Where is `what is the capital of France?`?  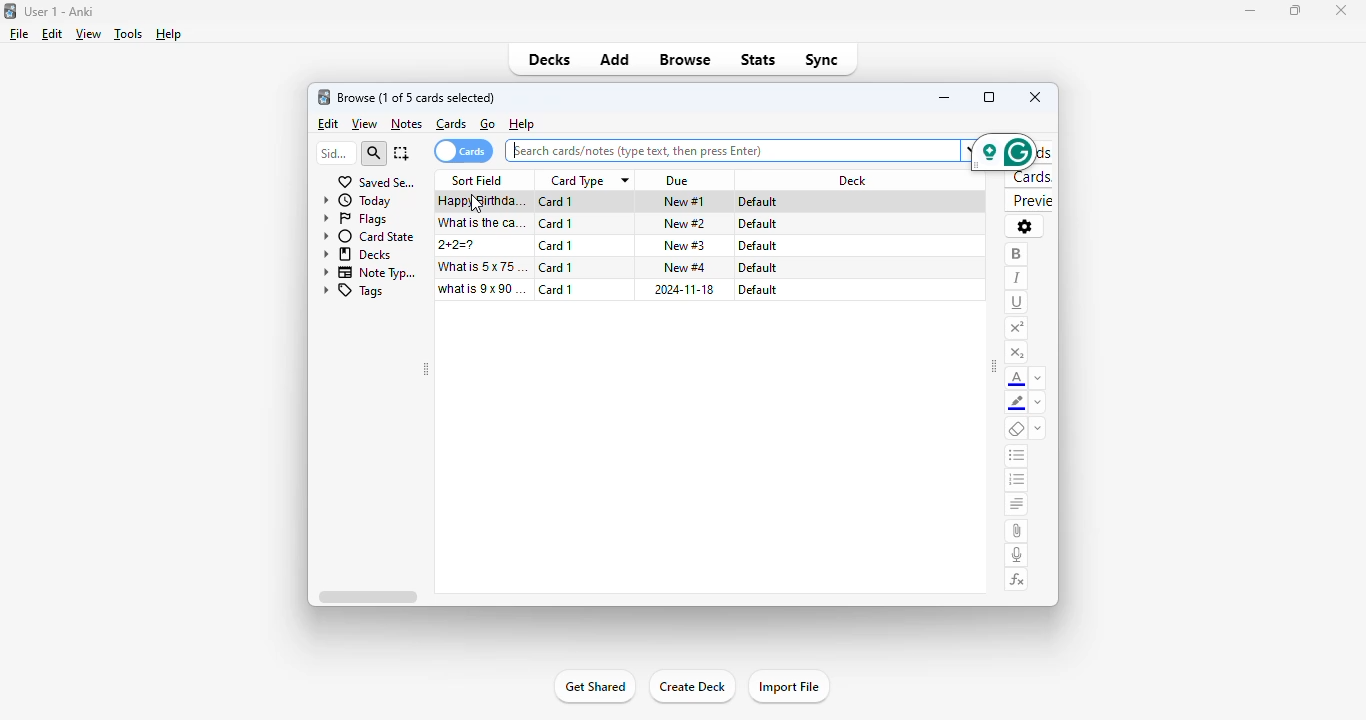
what is the capital of France? is located at coordinates (481, 223).